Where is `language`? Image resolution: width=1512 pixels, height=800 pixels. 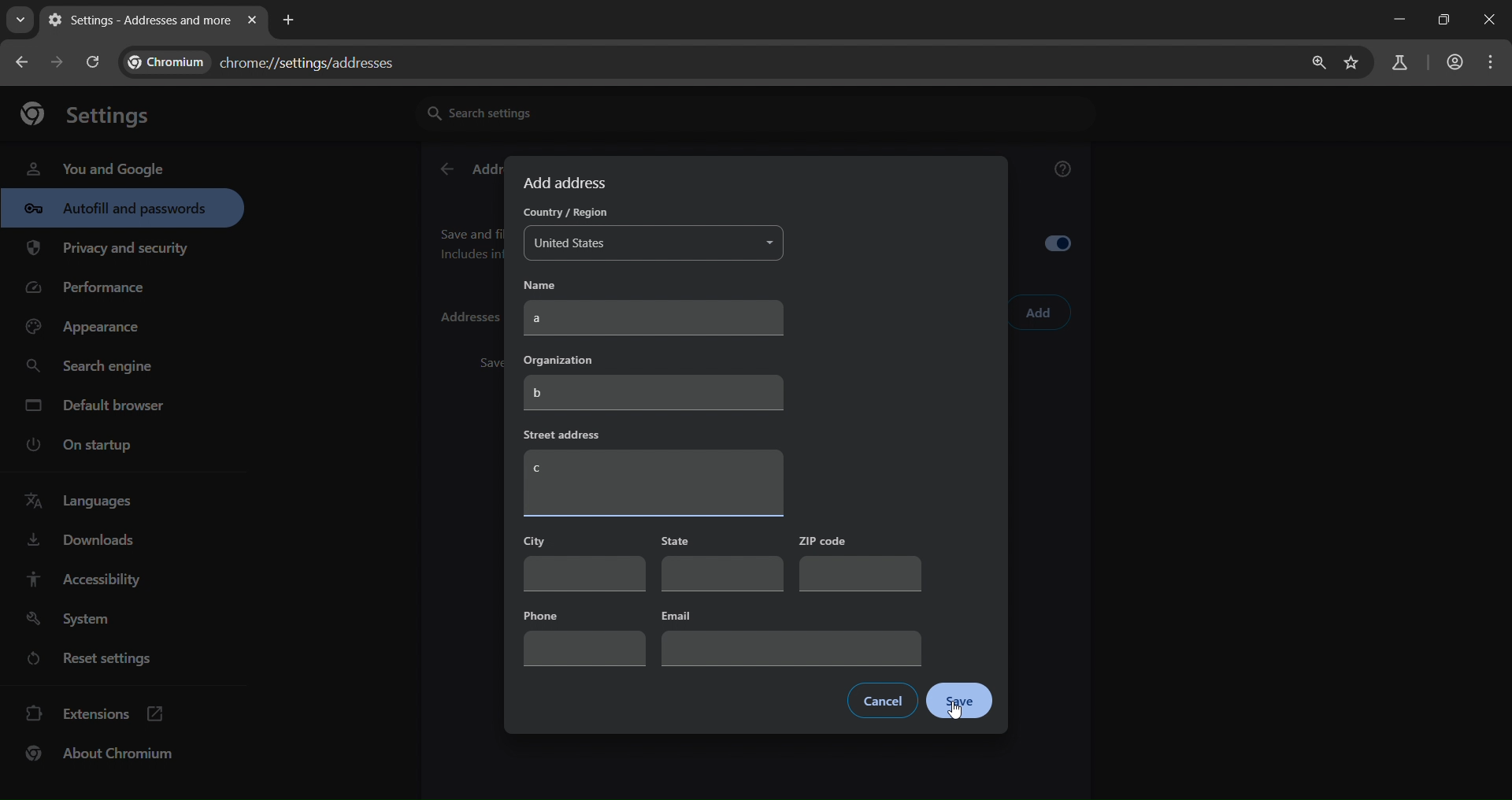
language is located at coordinates (83, 502).